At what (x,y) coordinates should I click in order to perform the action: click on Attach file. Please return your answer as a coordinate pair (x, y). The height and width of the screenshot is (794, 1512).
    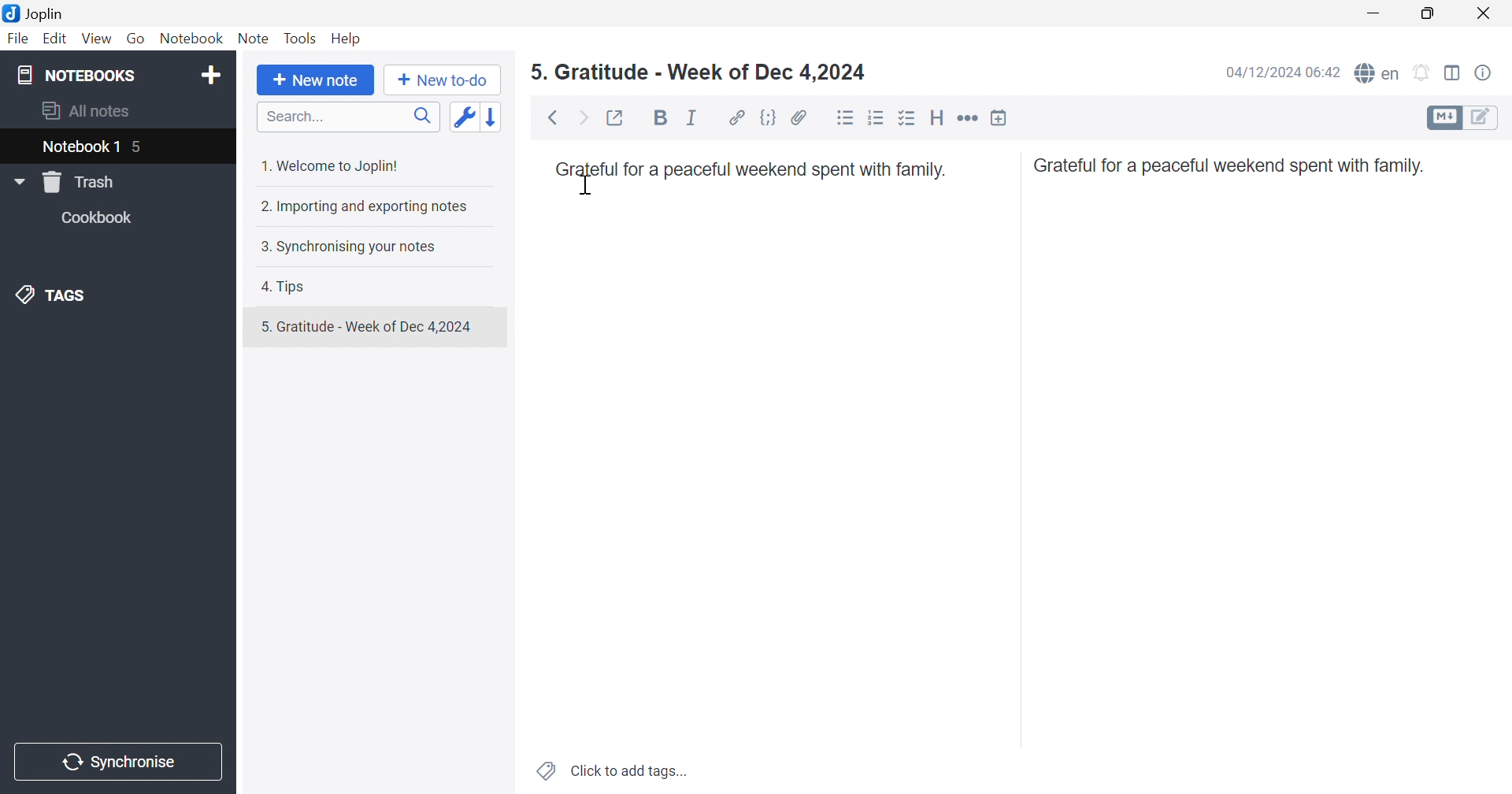
    Looking at the image, I should click on (799, 117).